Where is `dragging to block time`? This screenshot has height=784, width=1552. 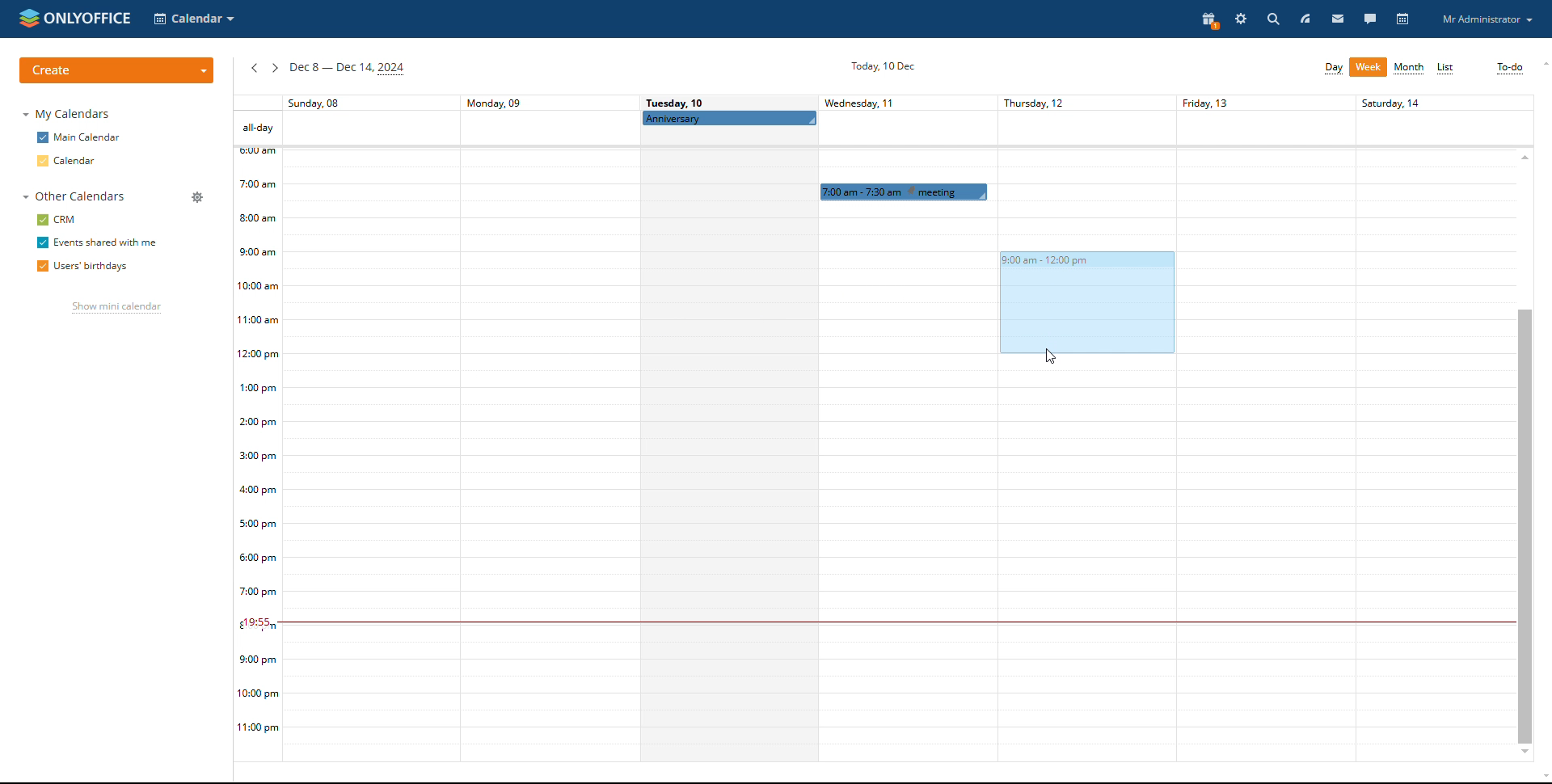
dragging to block time is located at coordinates (1082, 302).